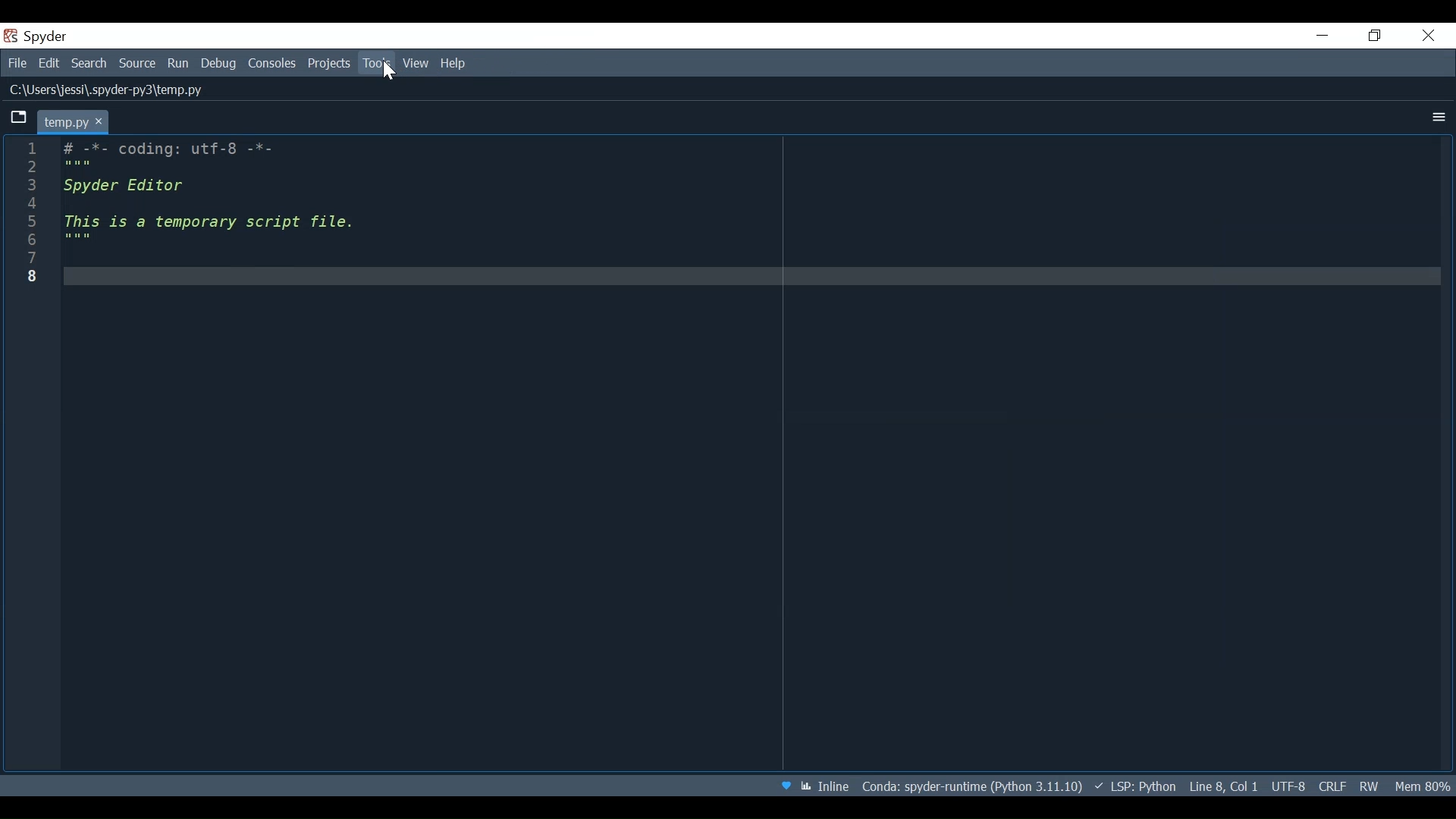  I want to click on Spyder Desktop Icon, so click(33, 36).